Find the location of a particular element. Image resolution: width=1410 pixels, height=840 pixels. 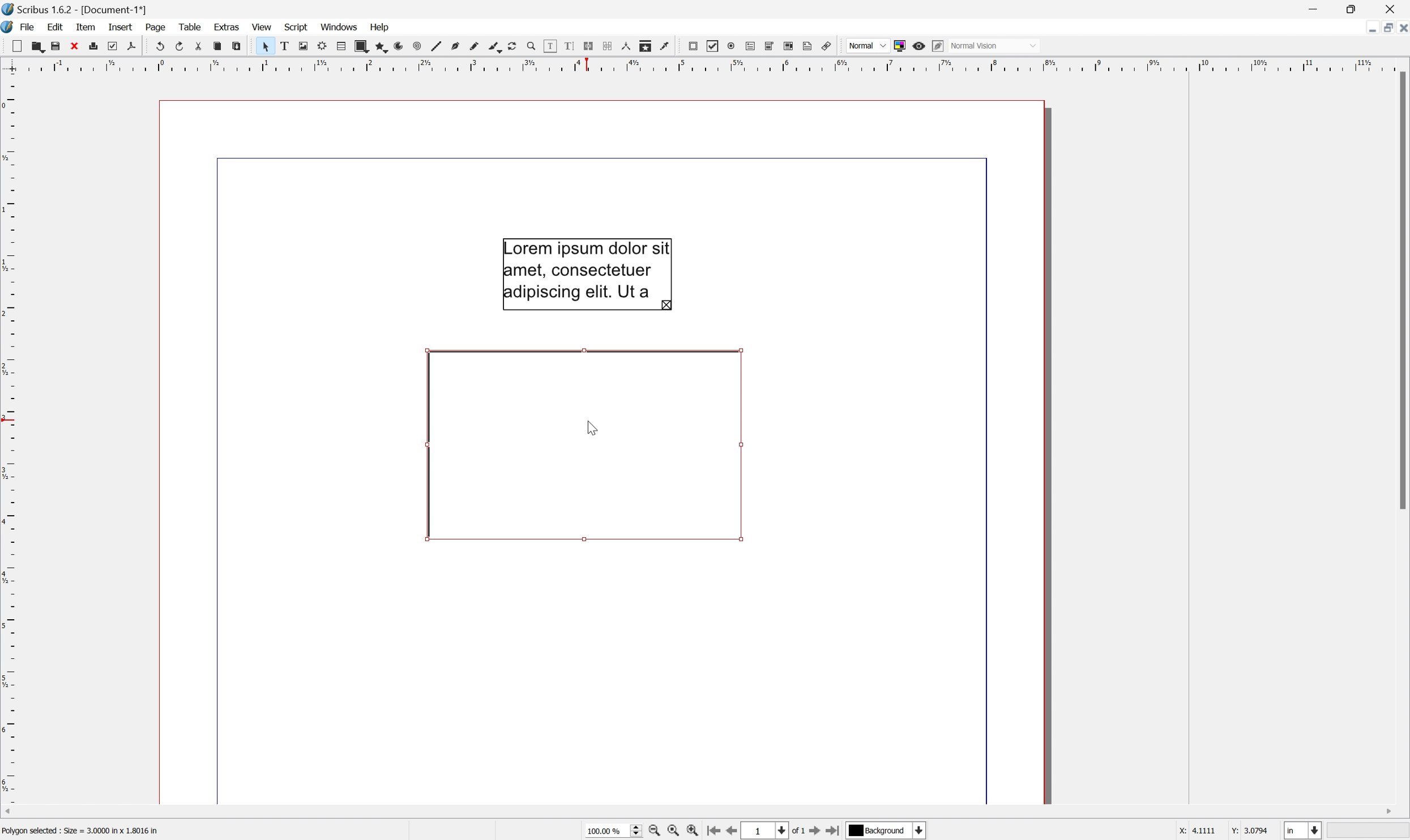

Image frame is located at coordinates (301, 45).